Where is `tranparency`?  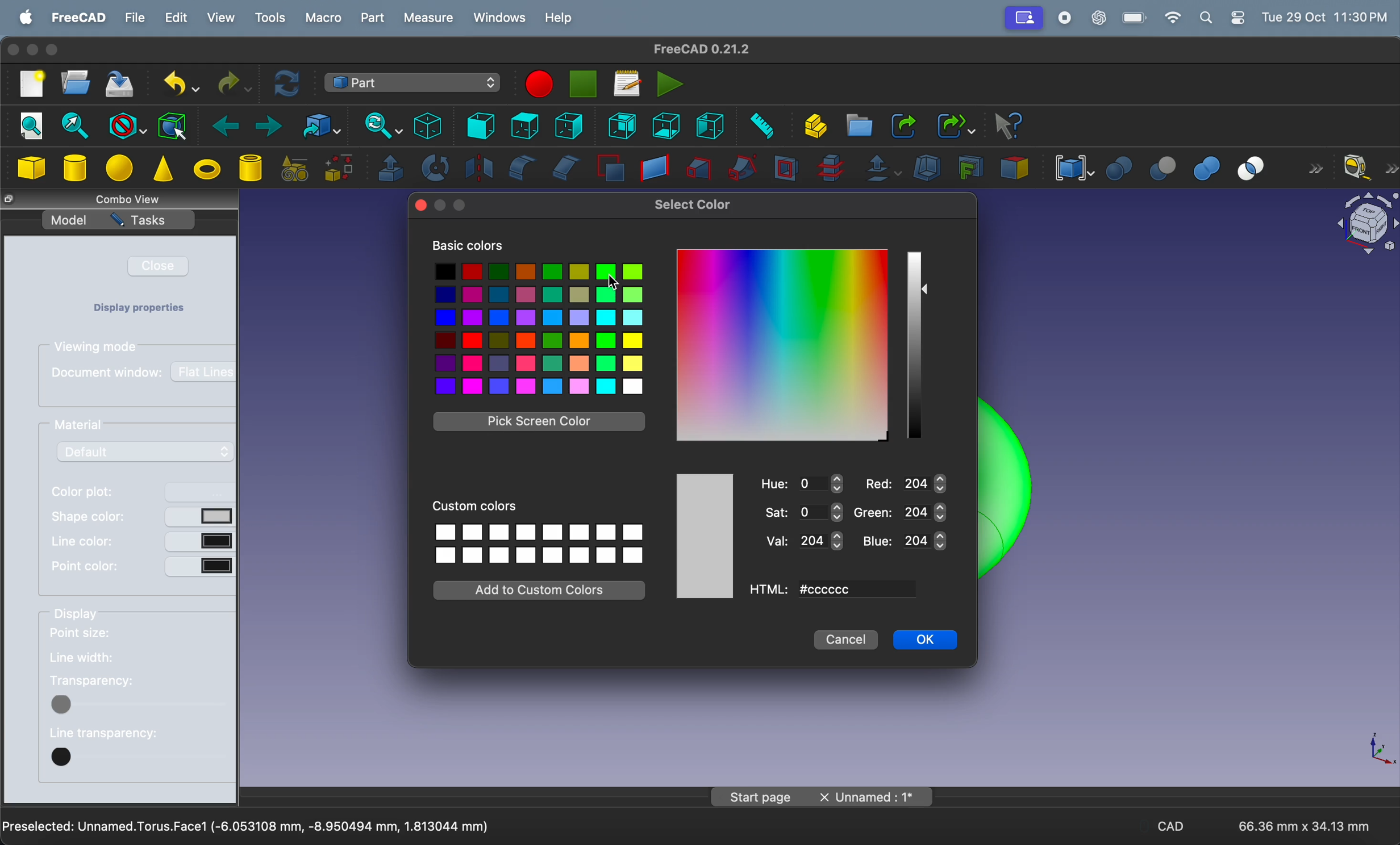 tranparency is located at coordinates (105, 681).